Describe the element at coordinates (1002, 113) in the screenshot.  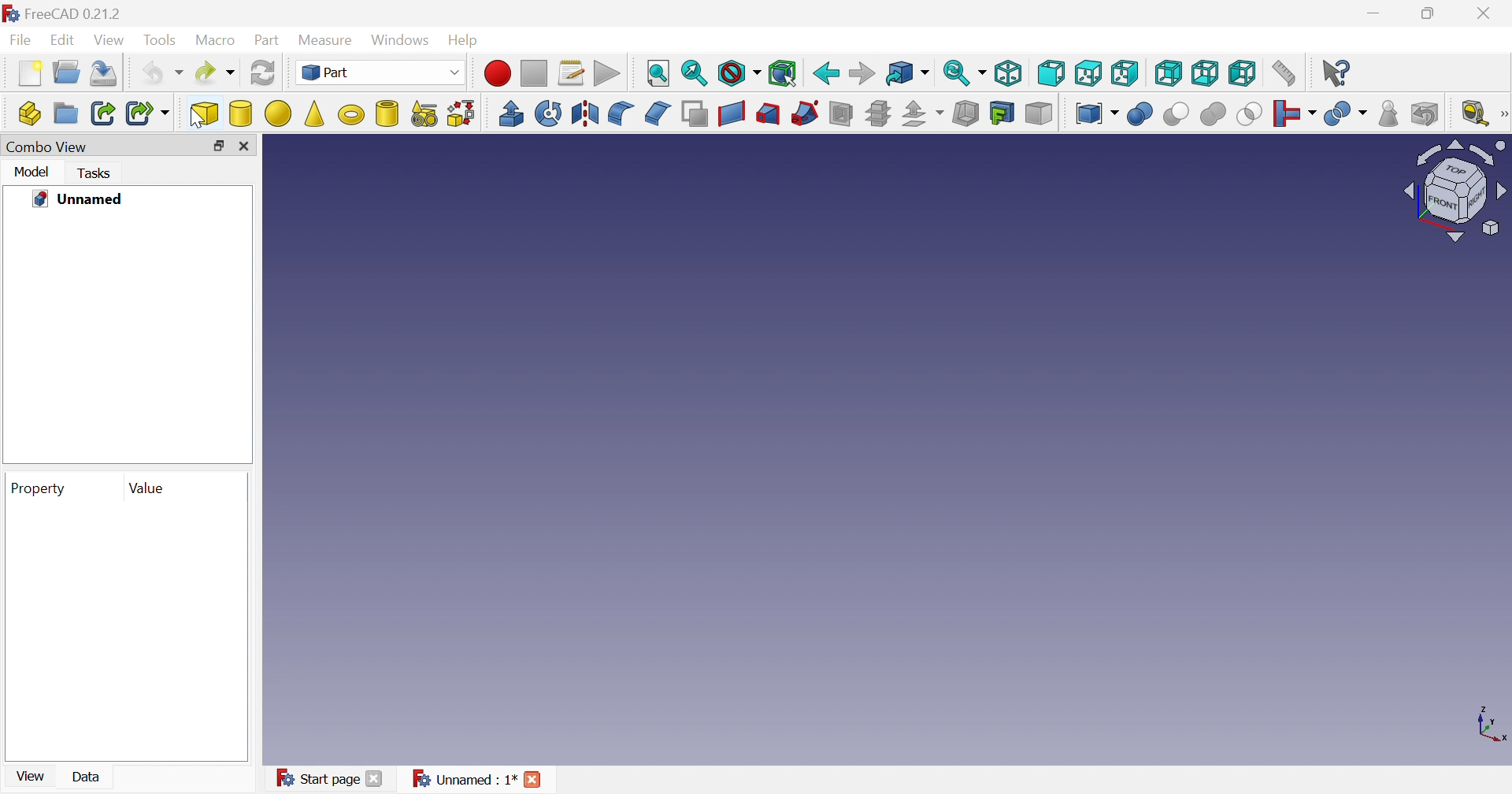
I see `Create projection on surface` at that location.